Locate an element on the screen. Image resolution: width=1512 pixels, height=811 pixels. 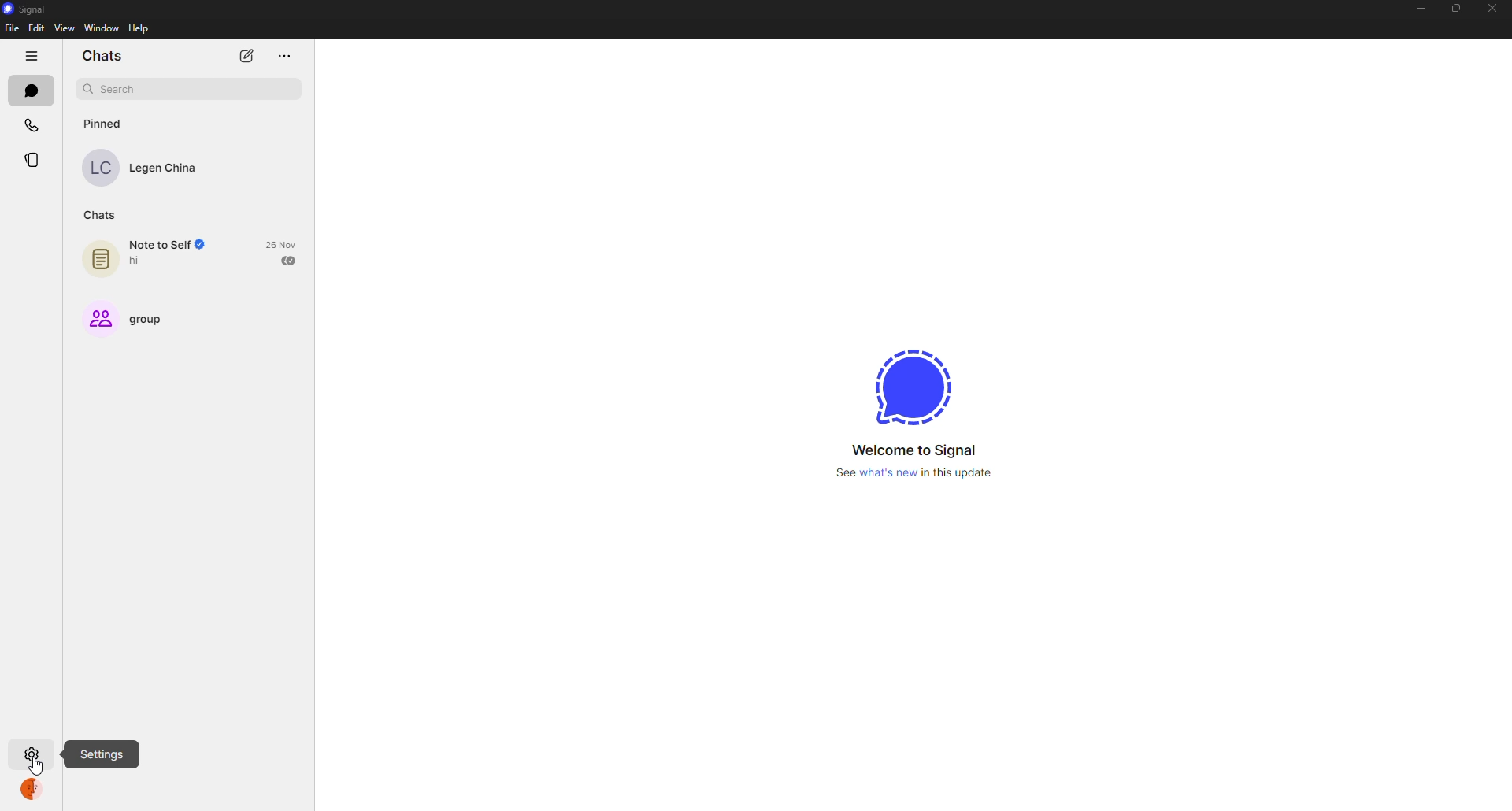
group is located at coordinates (124, 318).